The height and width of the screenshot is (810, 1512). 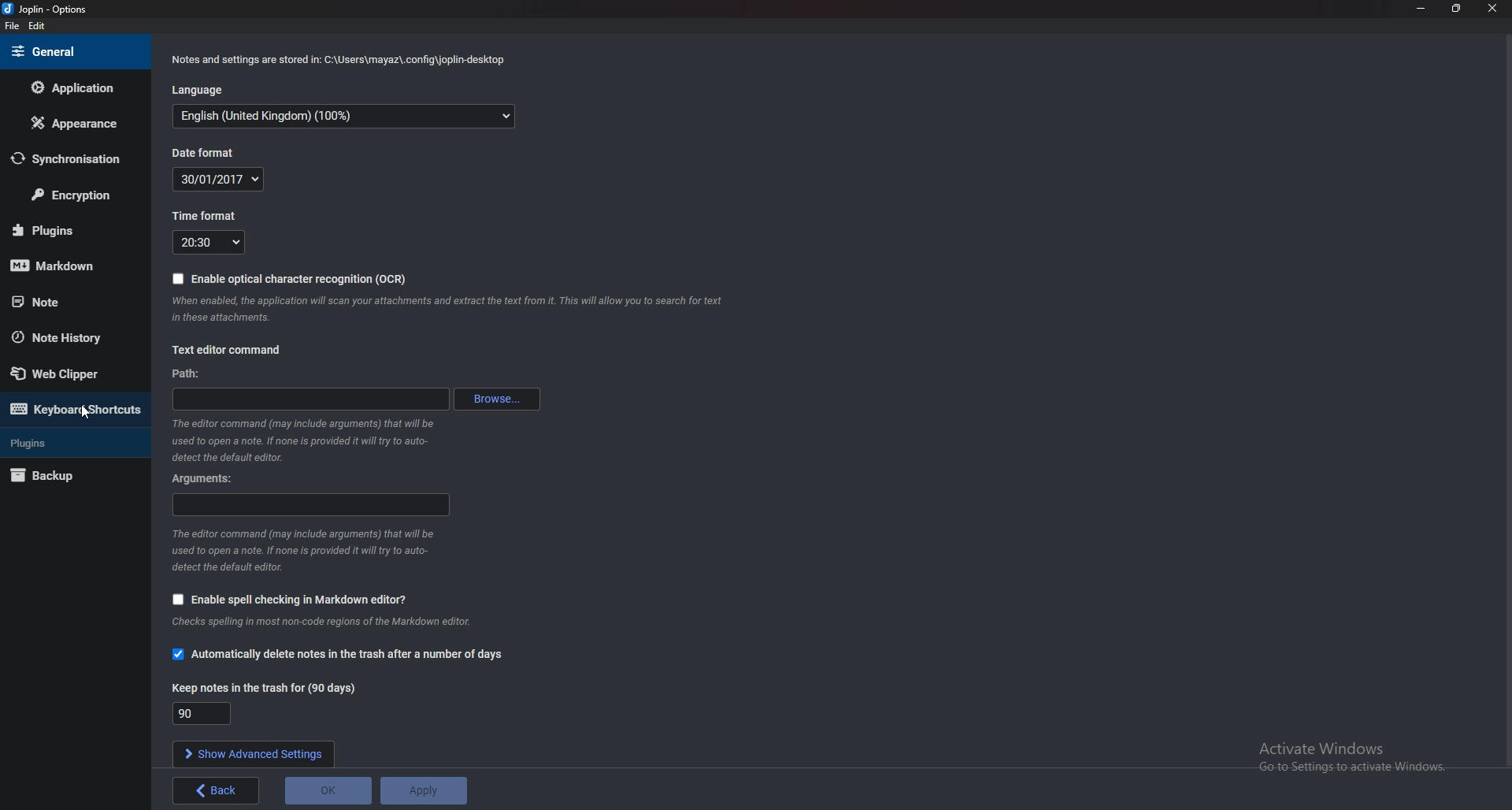 What do you see at coordinates (269, 689) in the screenshot?
I see `Keep notes in the trash for ` at bounding box center [269, 689].